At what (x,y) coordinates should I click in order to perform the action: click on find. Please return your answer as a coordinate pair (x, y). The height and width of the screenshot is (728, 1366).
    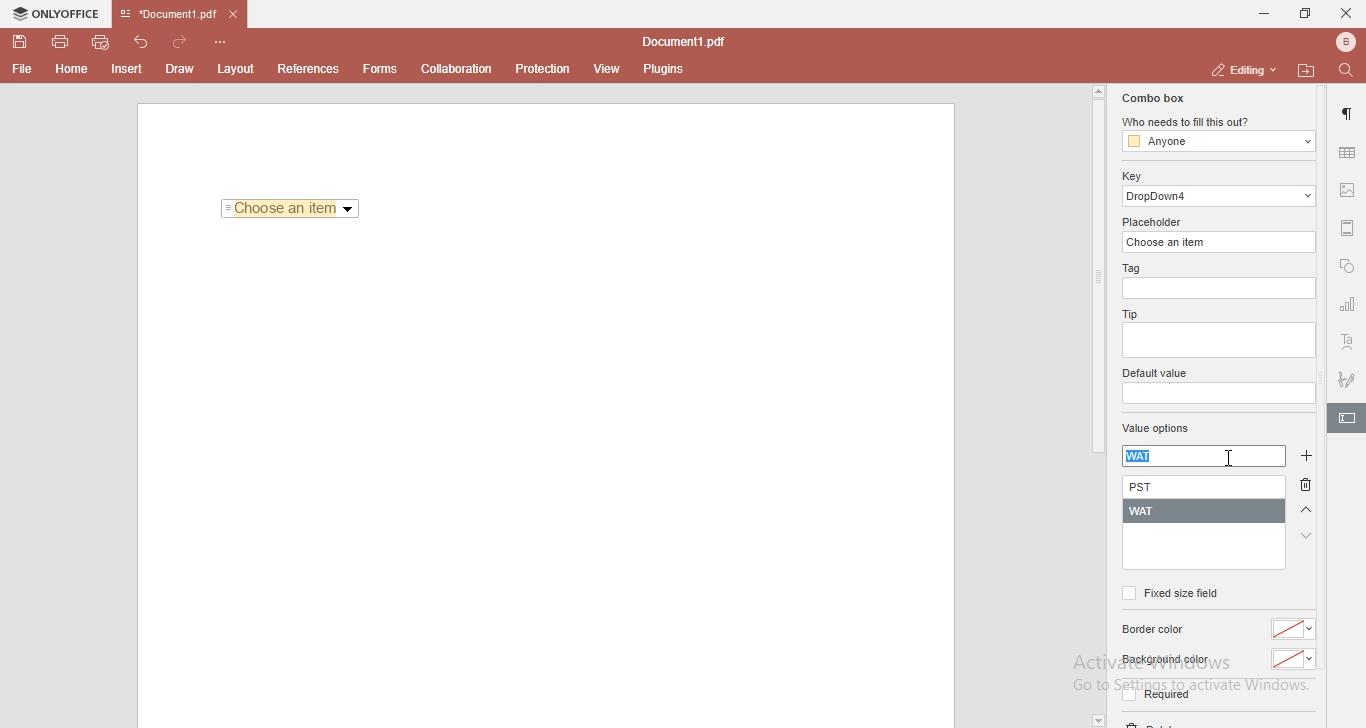
    Looking at the image, I should click on (1350, 69).